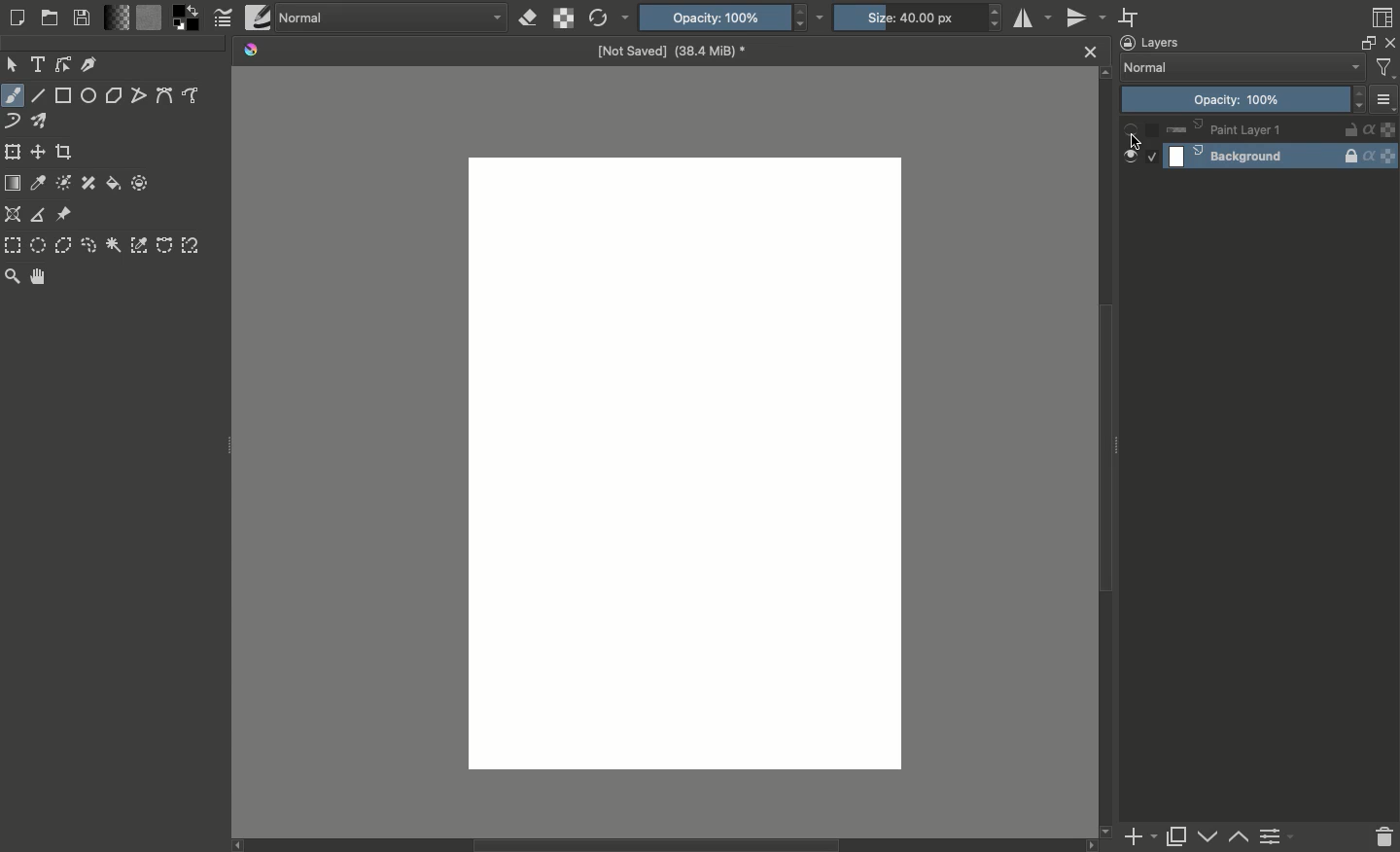 The width and height of the screenshot is (1400, 852). Describe the element at coordinates (166, 248) in the screenshot. I see `Bézier curve selection tool` at that location.